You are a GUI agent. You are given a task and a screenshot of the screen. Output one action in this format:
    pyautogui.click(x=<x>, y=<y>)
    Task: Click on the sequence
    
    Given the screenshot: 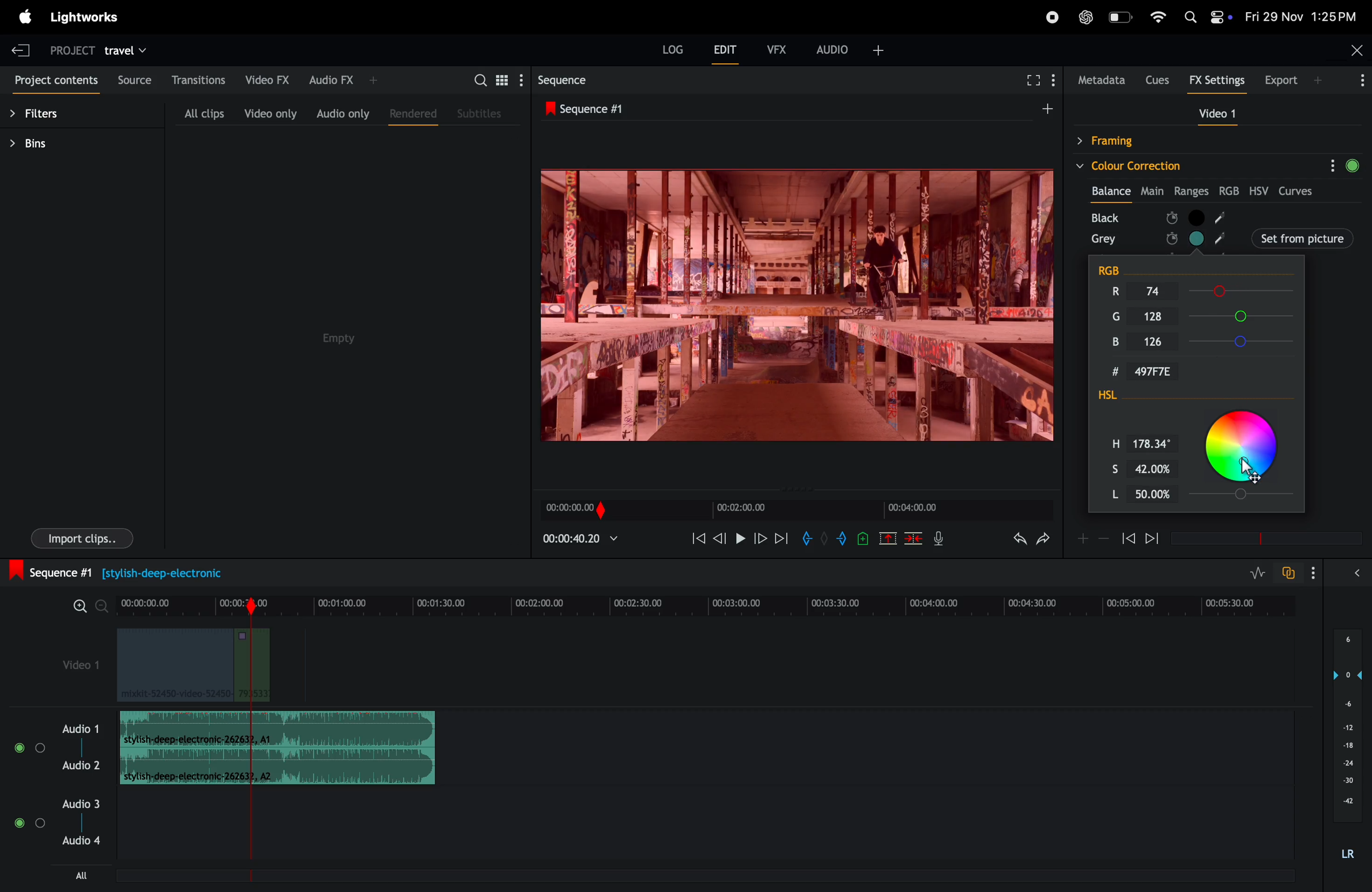 What is the action you would take?
    pyautogui.click(x=575, y=80)
    